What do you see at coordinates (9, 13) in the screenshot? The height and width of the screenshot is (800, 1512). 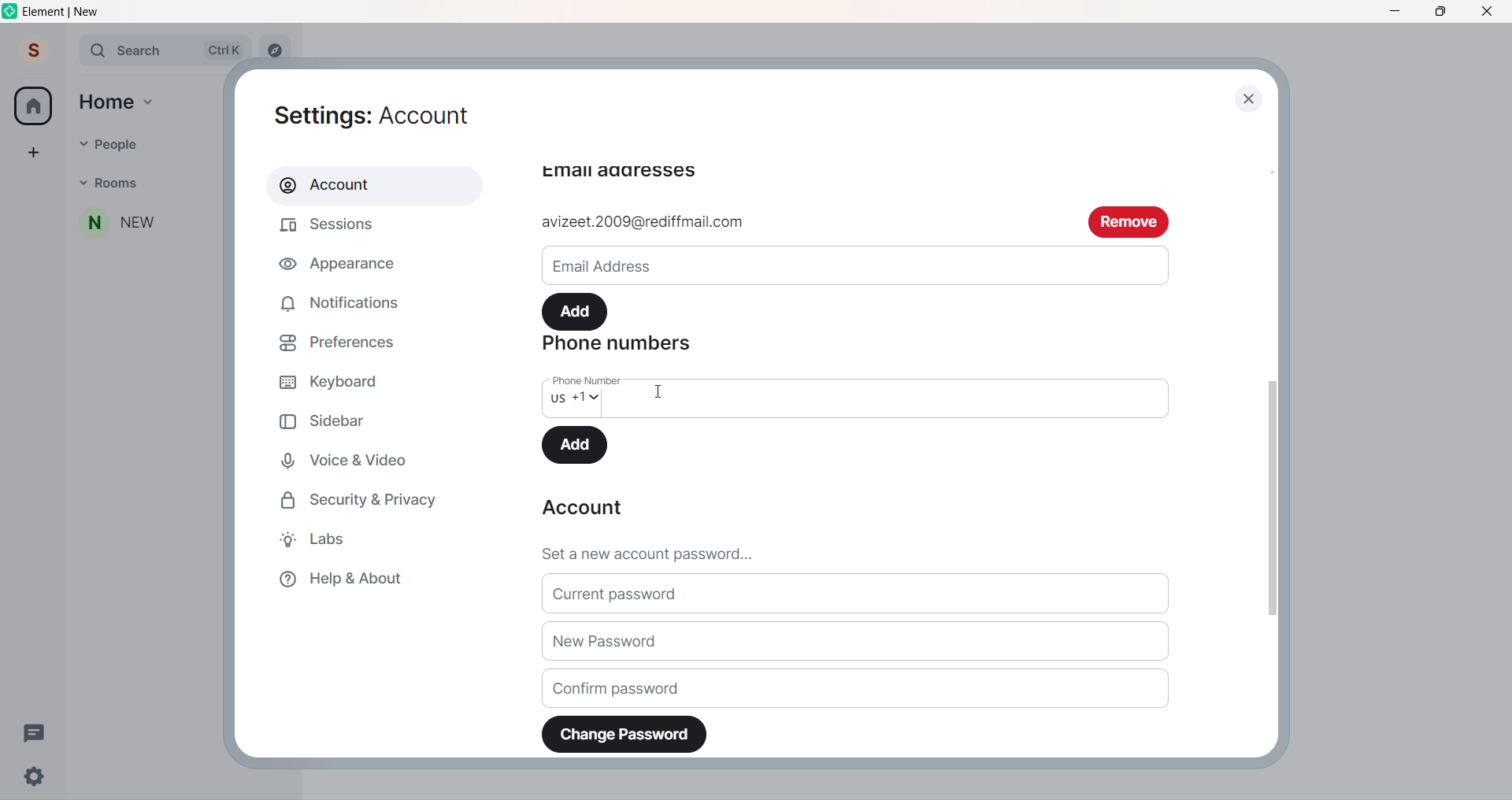 I see `Logo` at bounding box center [9, 13].